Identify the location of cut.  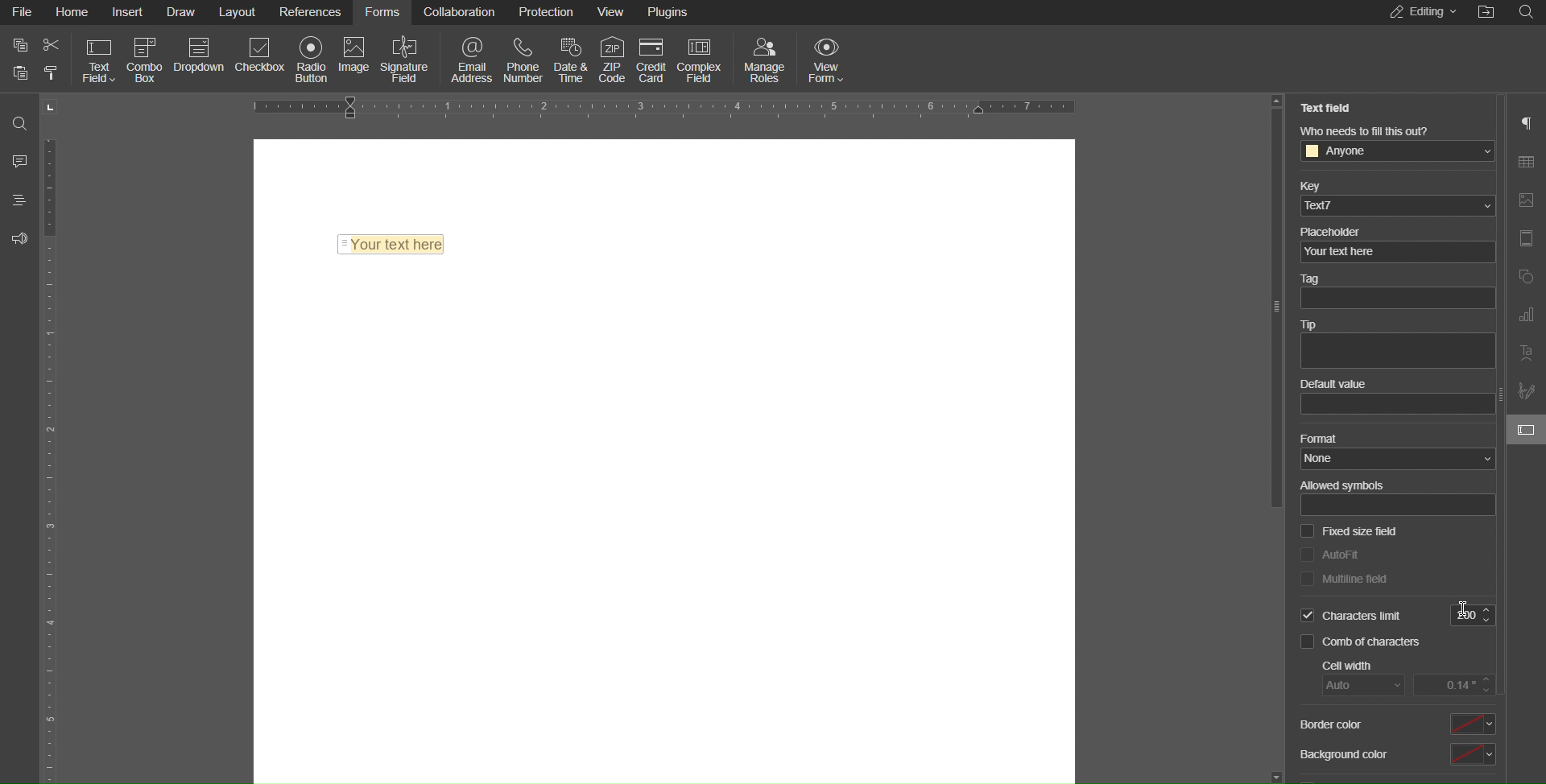
(52, 45).